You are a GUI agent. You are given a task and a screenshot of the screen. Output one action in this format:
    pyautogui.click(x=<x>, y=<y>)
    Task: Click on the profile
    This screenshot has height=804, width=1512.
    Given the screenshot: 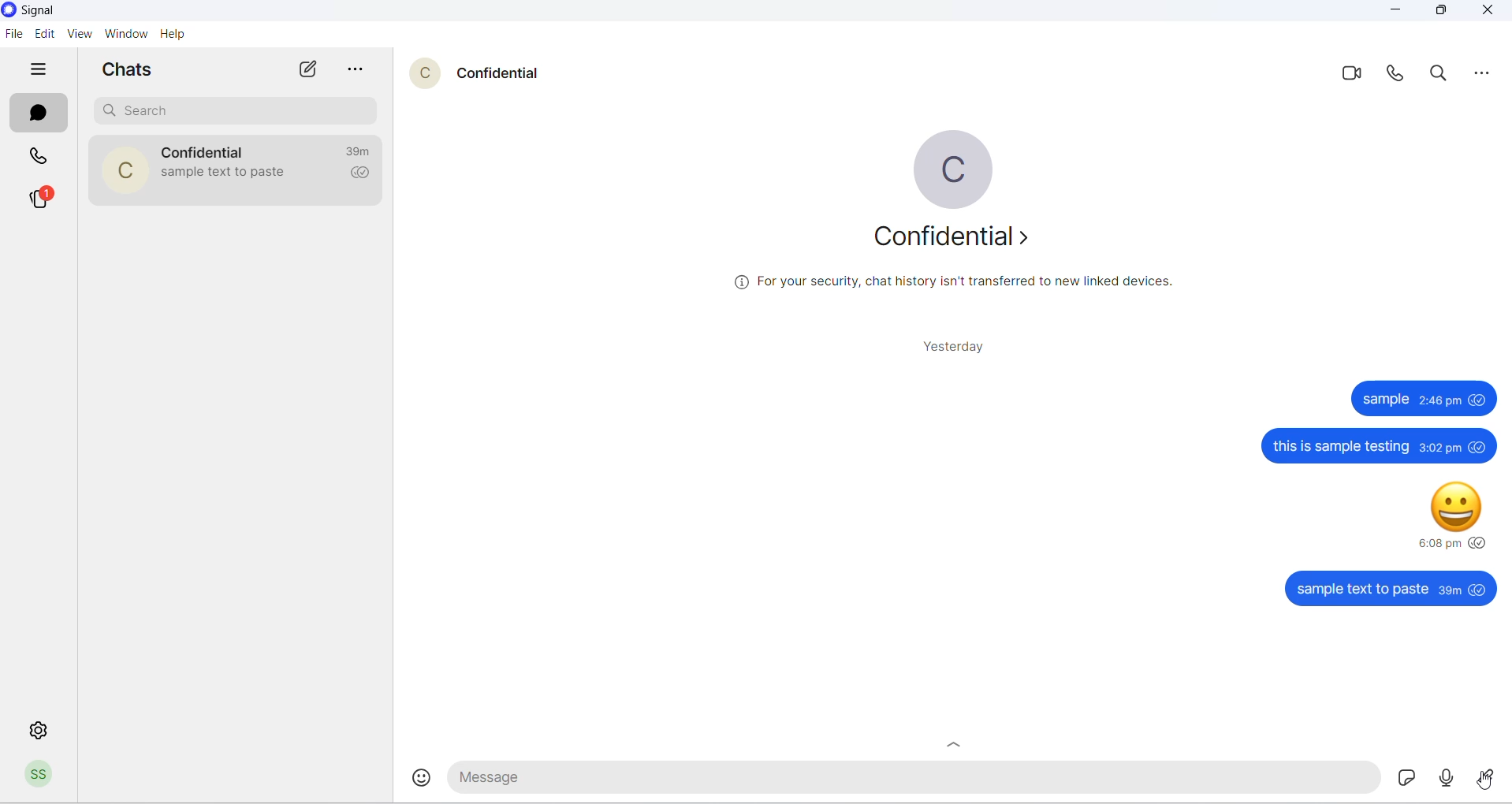 What is the action you would take?
    pyautogui.click(x=38, y=776)
    